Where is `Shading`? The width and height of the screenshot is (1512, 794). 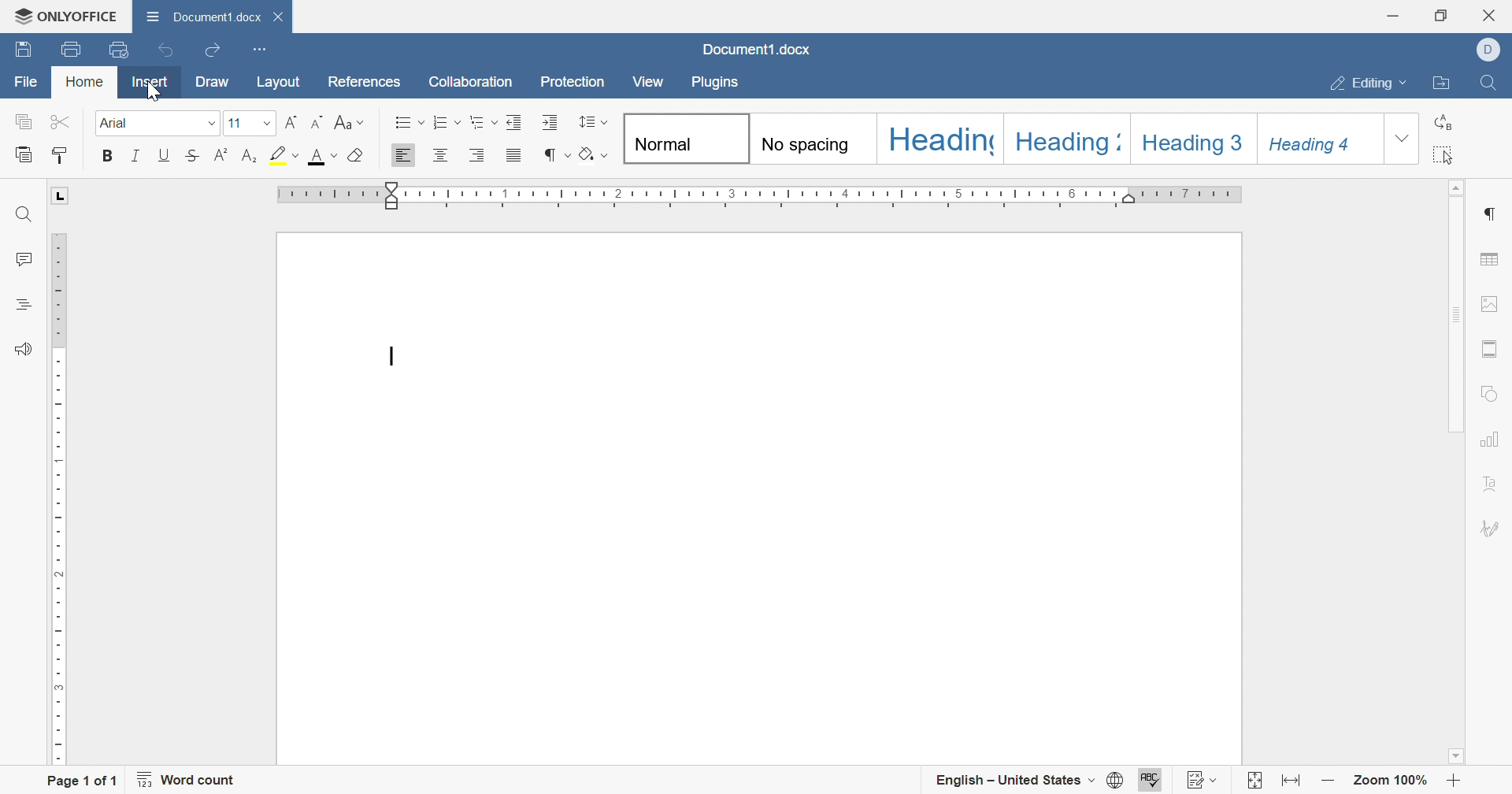 Shading is located at coordinates (594, 153).